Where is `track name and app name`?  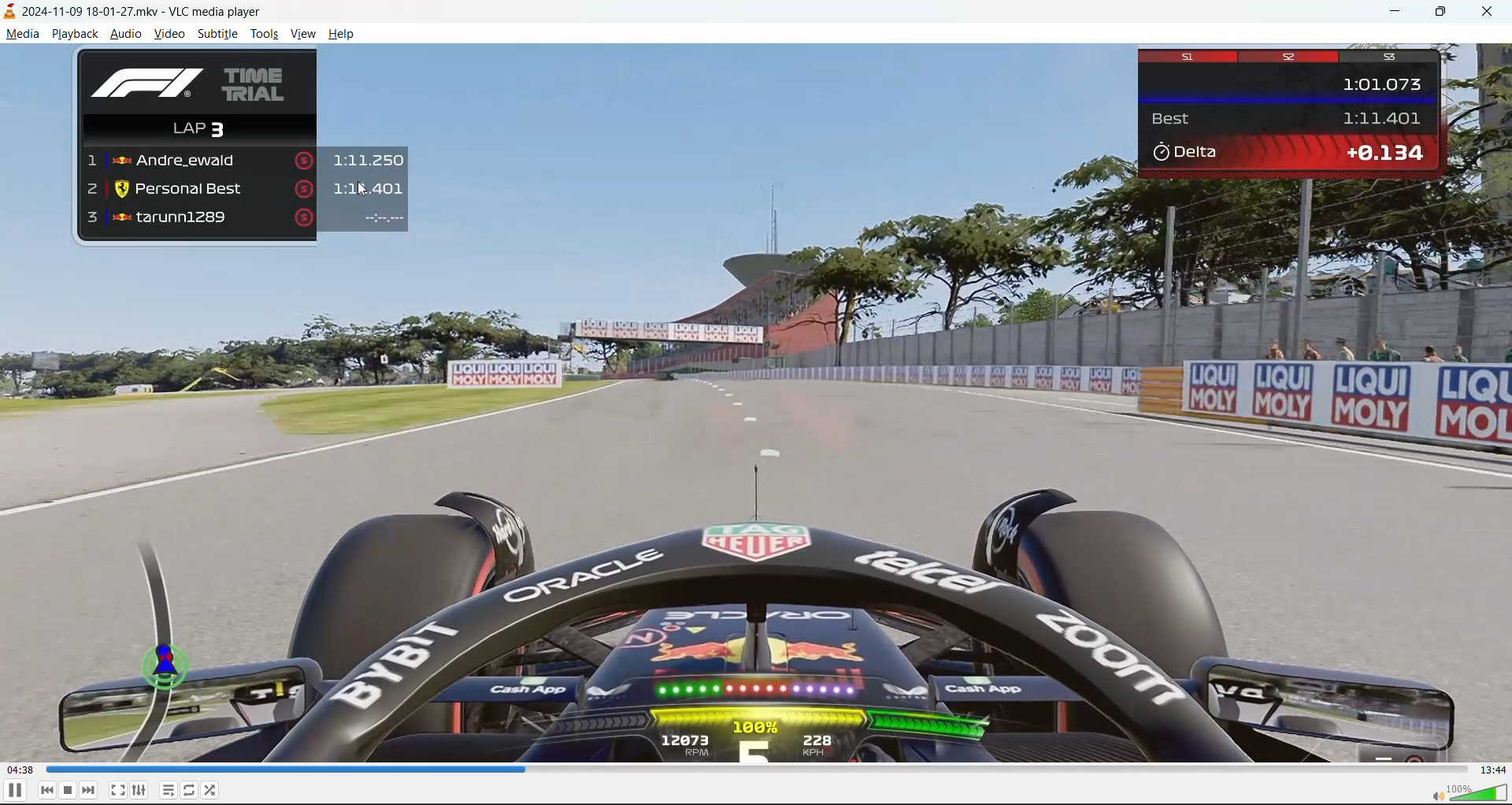 track name and app name is located at coordinates (143, 12).